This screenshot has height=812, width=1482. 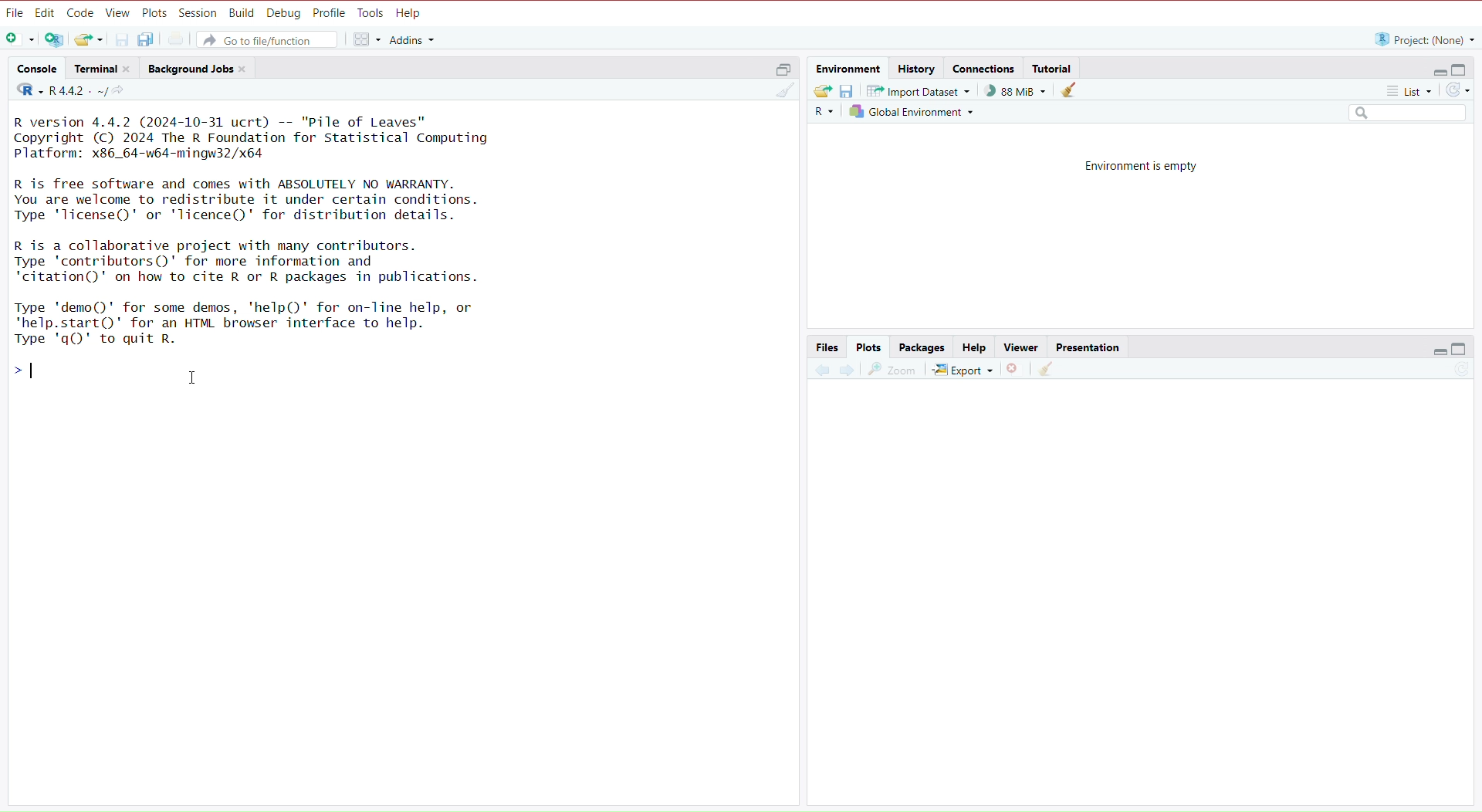 What do you see at coordinates (822, 91) in the screenshot?
I see `Export history logs` at bounding box center [822, 91].